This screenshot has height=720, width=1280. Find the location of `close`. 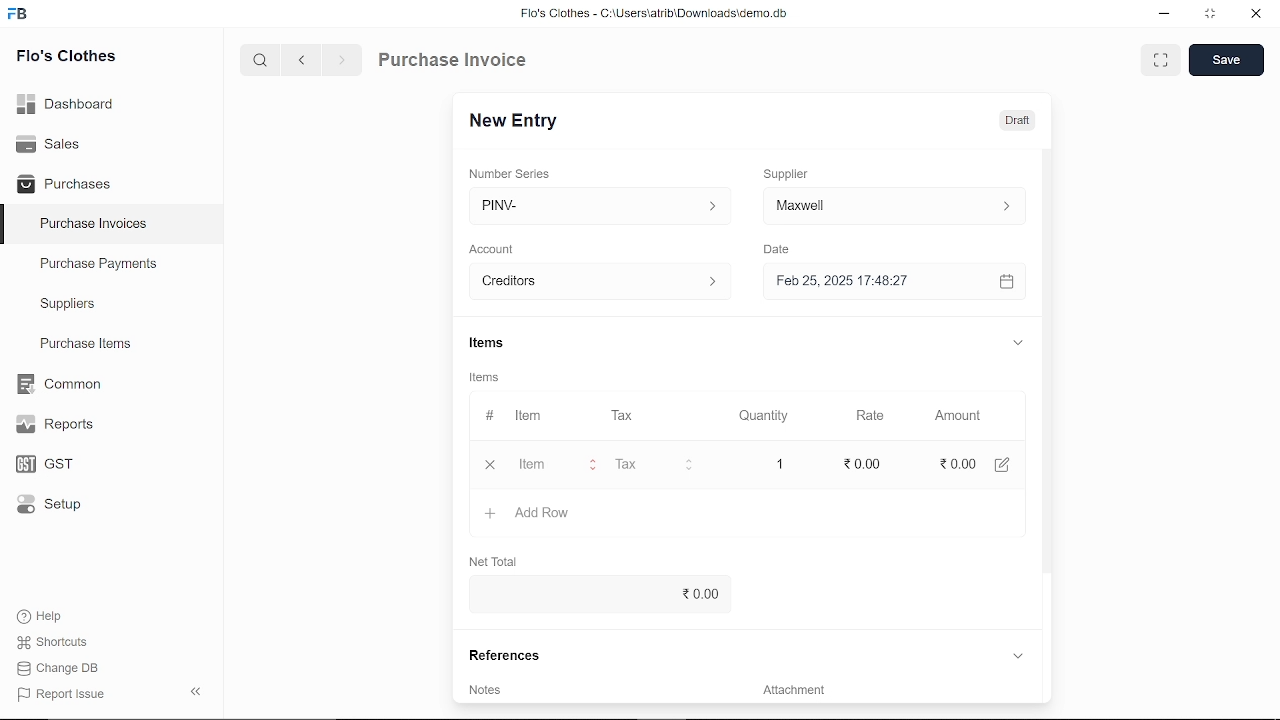

close is located at coordinates (1254, 16).